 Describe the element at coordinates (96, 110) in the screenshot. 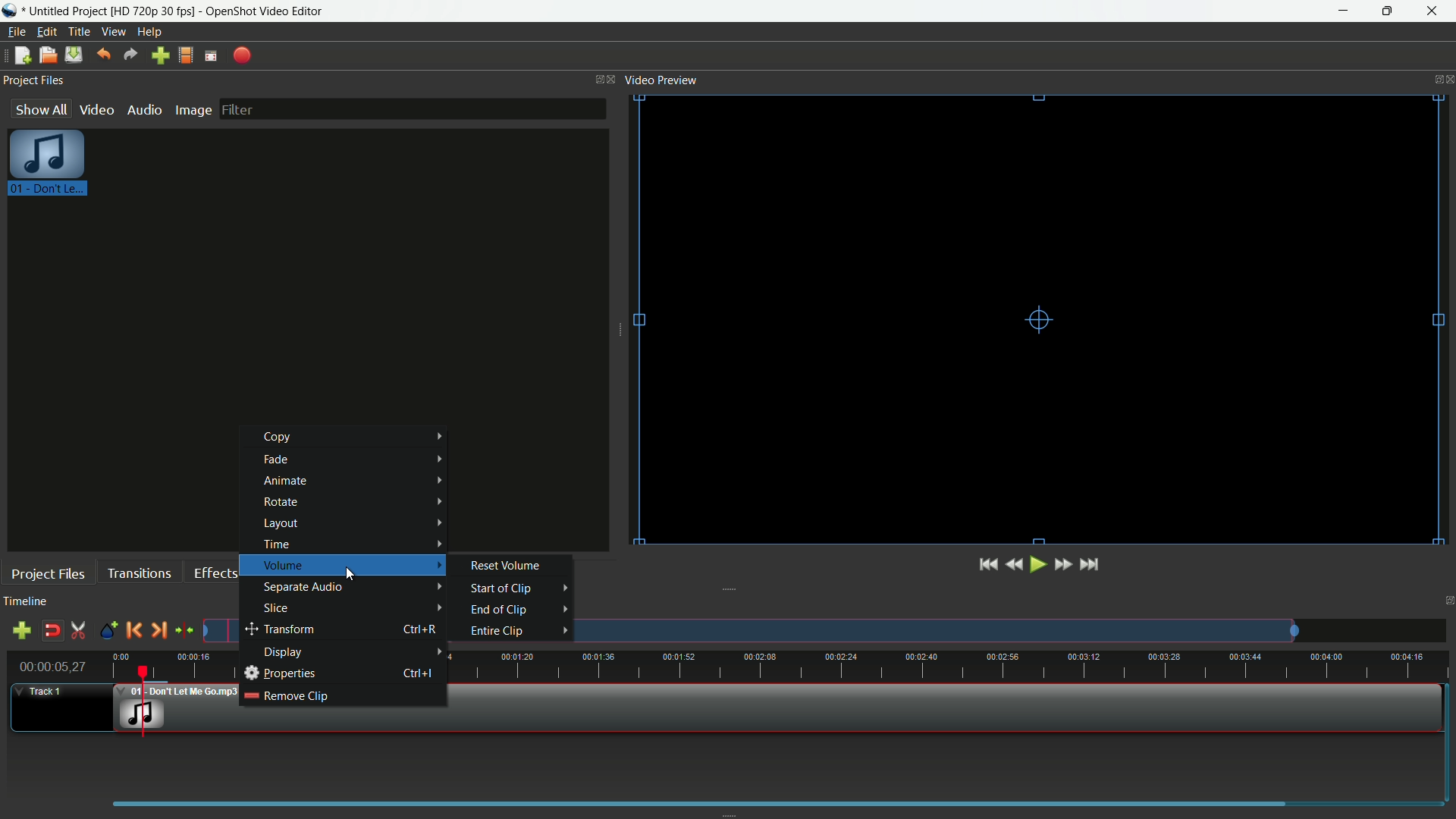

I see `video` at that location.